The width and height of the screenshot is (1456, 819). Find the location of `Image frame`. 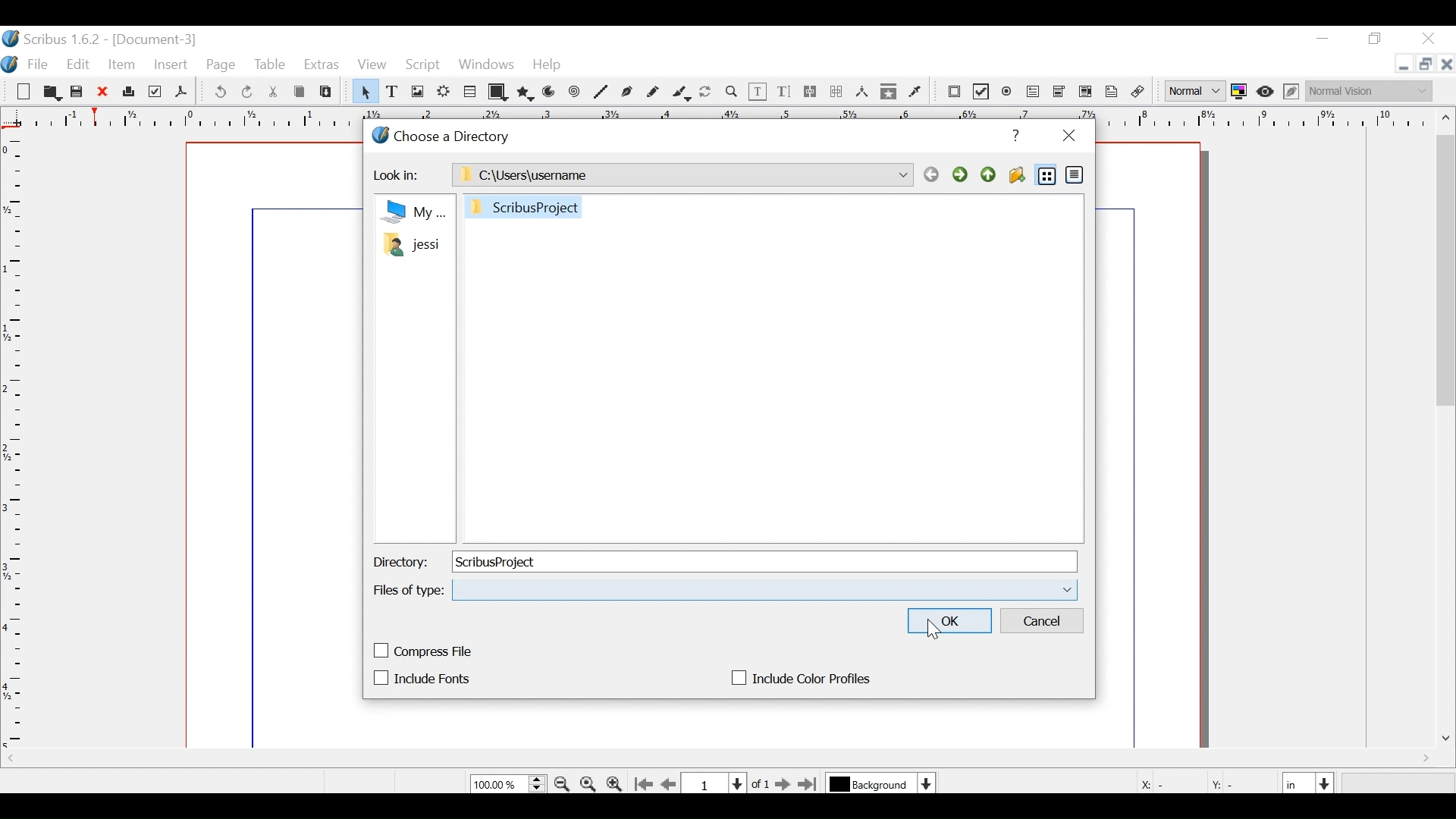

Image frame is located at coordinates (416, 91).